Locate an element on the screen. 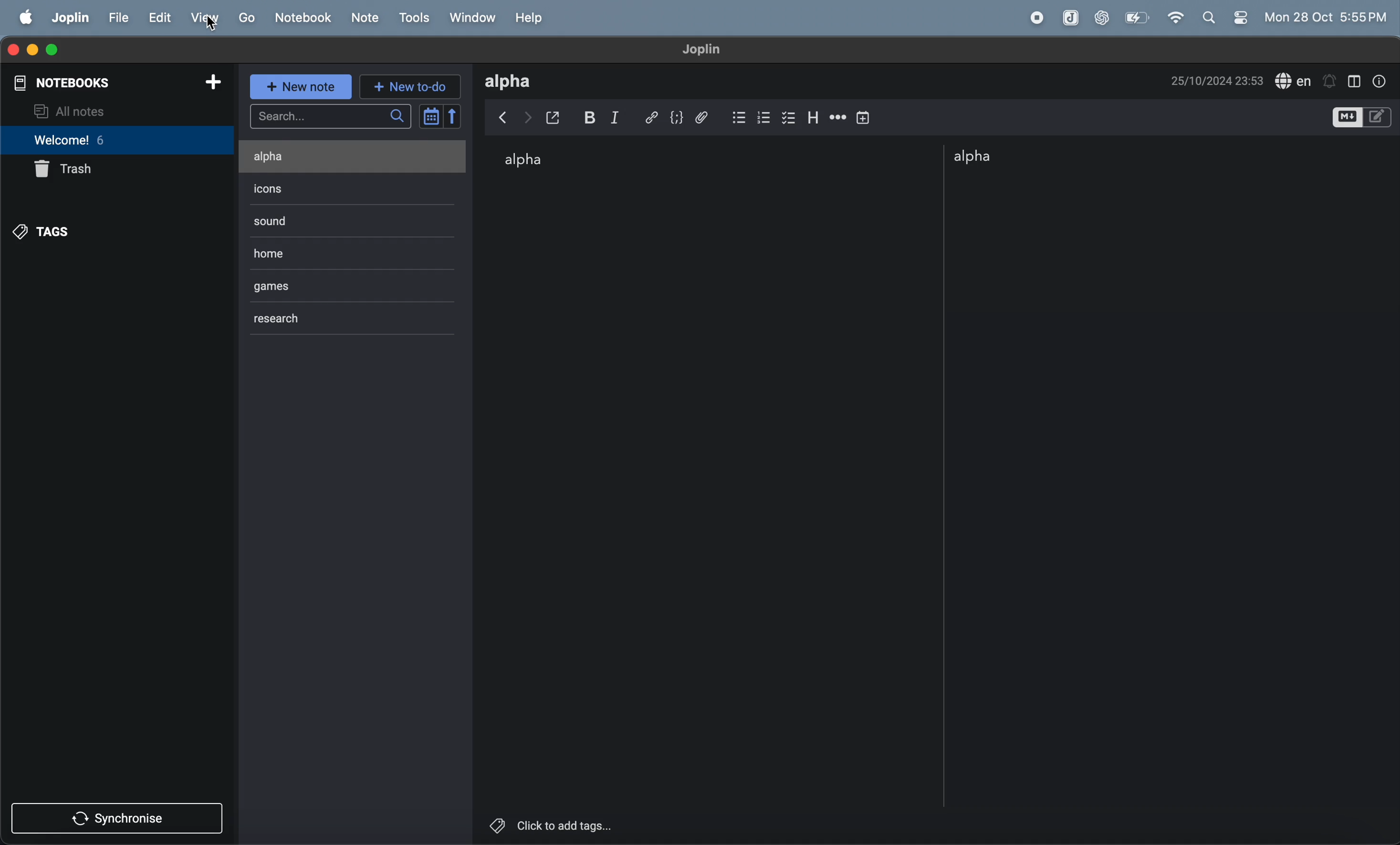 This screenshot has width=1400, height=845. header is located at coordinates (815, 115).